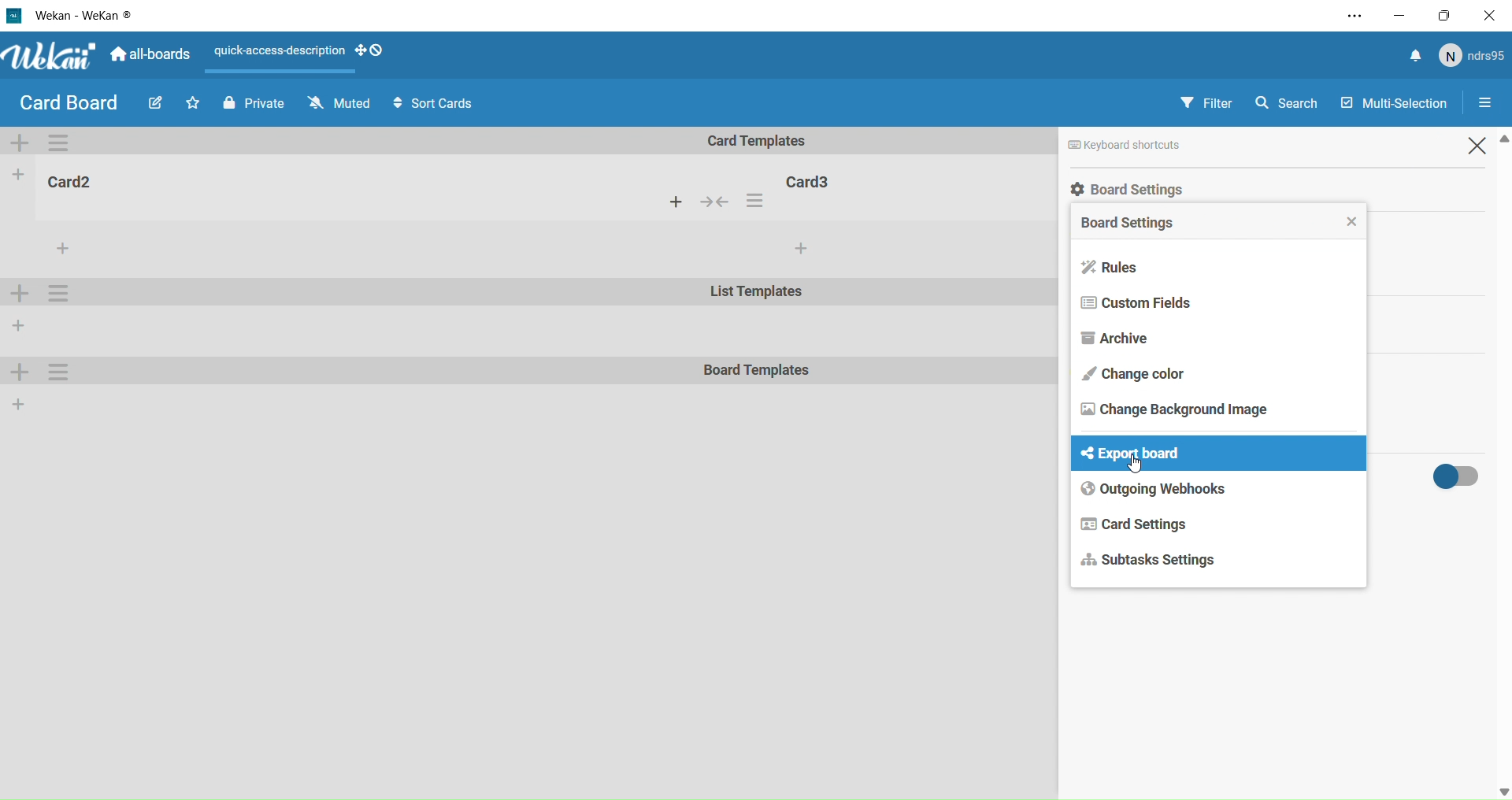 This screenshot has width=1512, height=800. What do you see at coordinates (79, 17) in the screenshot?
I see `` at bounding box center [79, 17].